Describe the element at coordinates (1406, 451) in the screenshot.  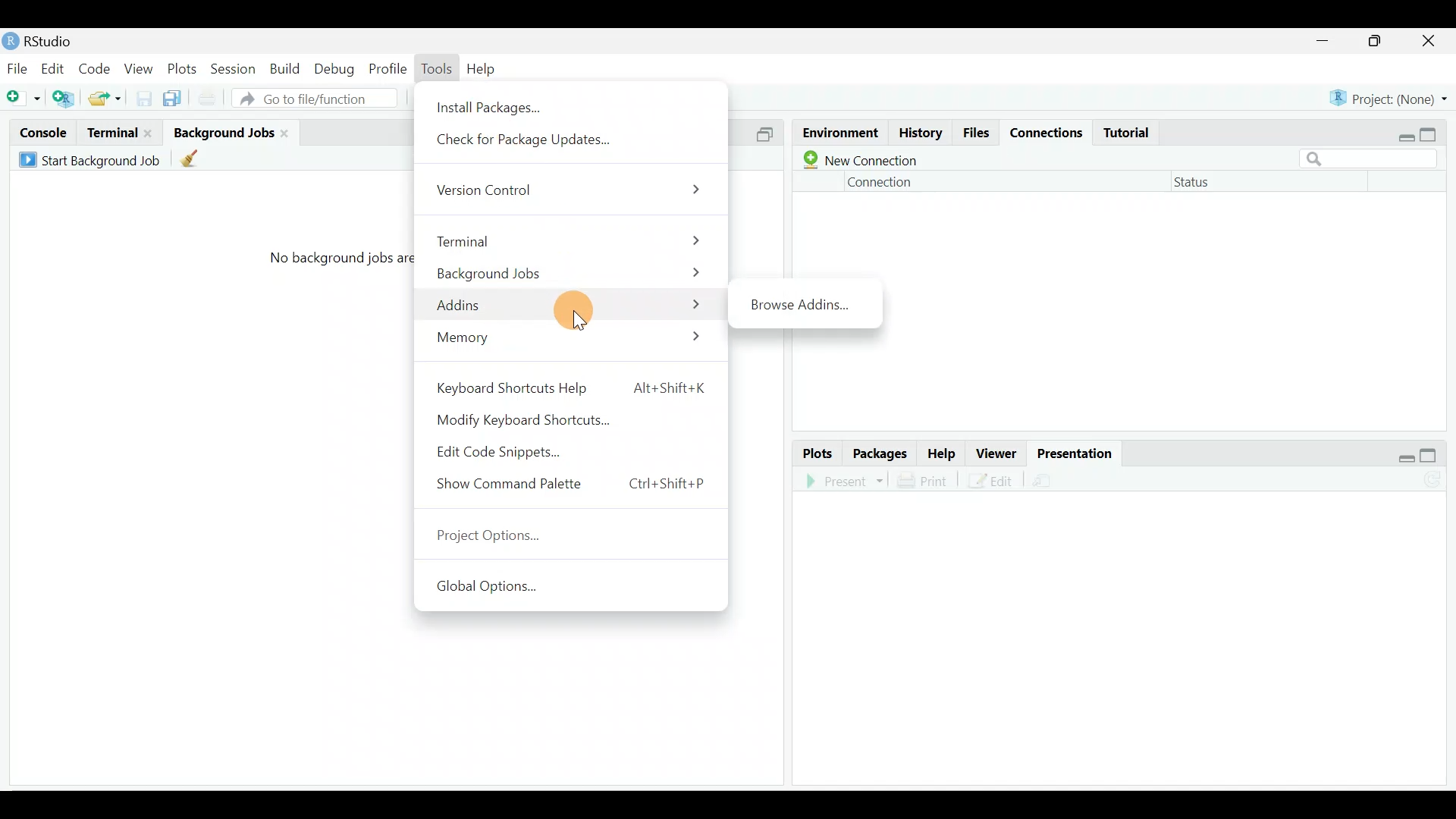
I see `restore down` at that location.